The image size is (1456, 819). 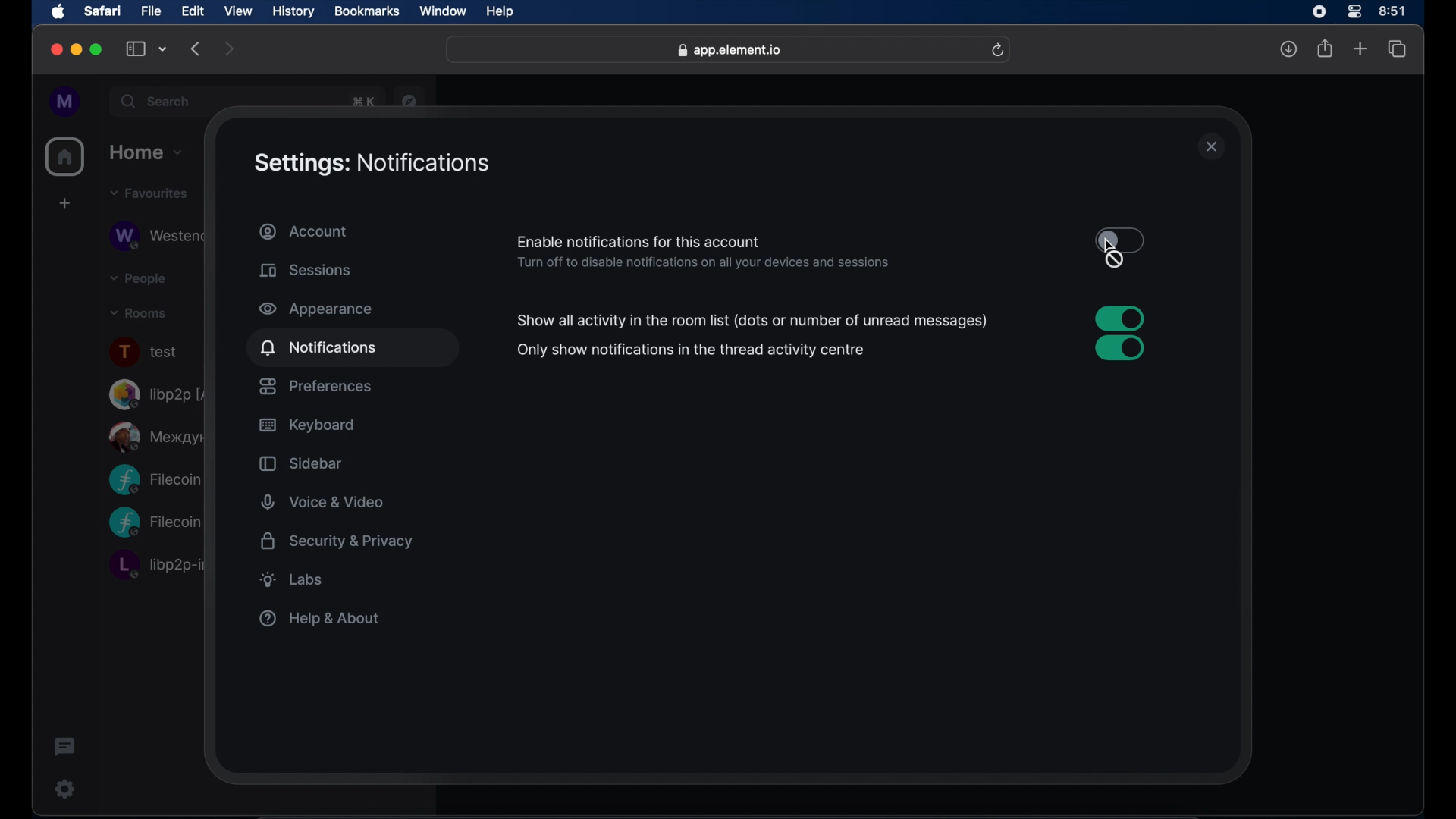 What do you see at coordinates (293, 12) in the screenshot?
I see `history` at bounding box center [293, 12].